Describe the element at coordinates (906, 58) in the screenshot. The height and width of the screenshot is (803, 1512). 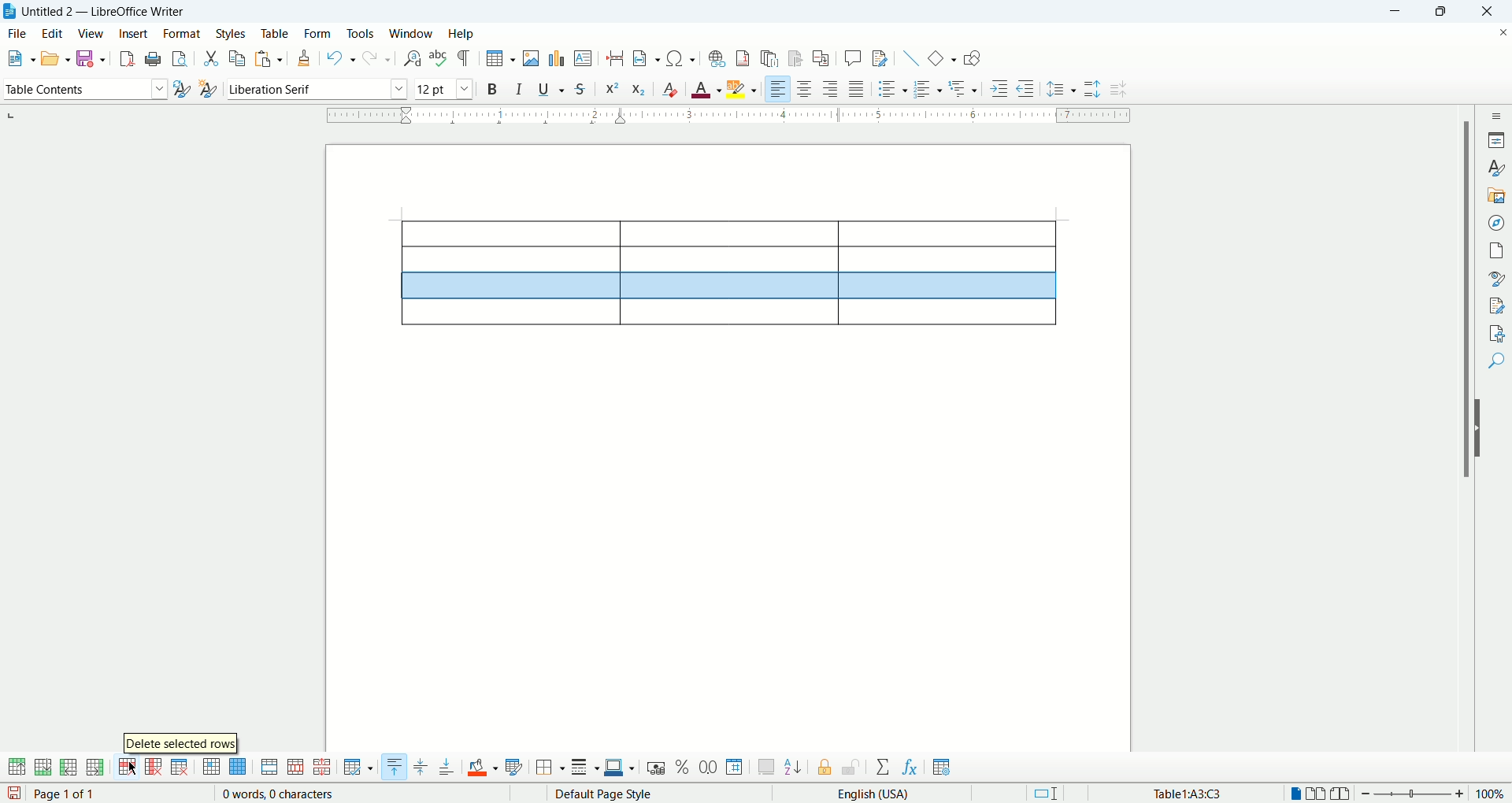
I see `insert line` at that location.